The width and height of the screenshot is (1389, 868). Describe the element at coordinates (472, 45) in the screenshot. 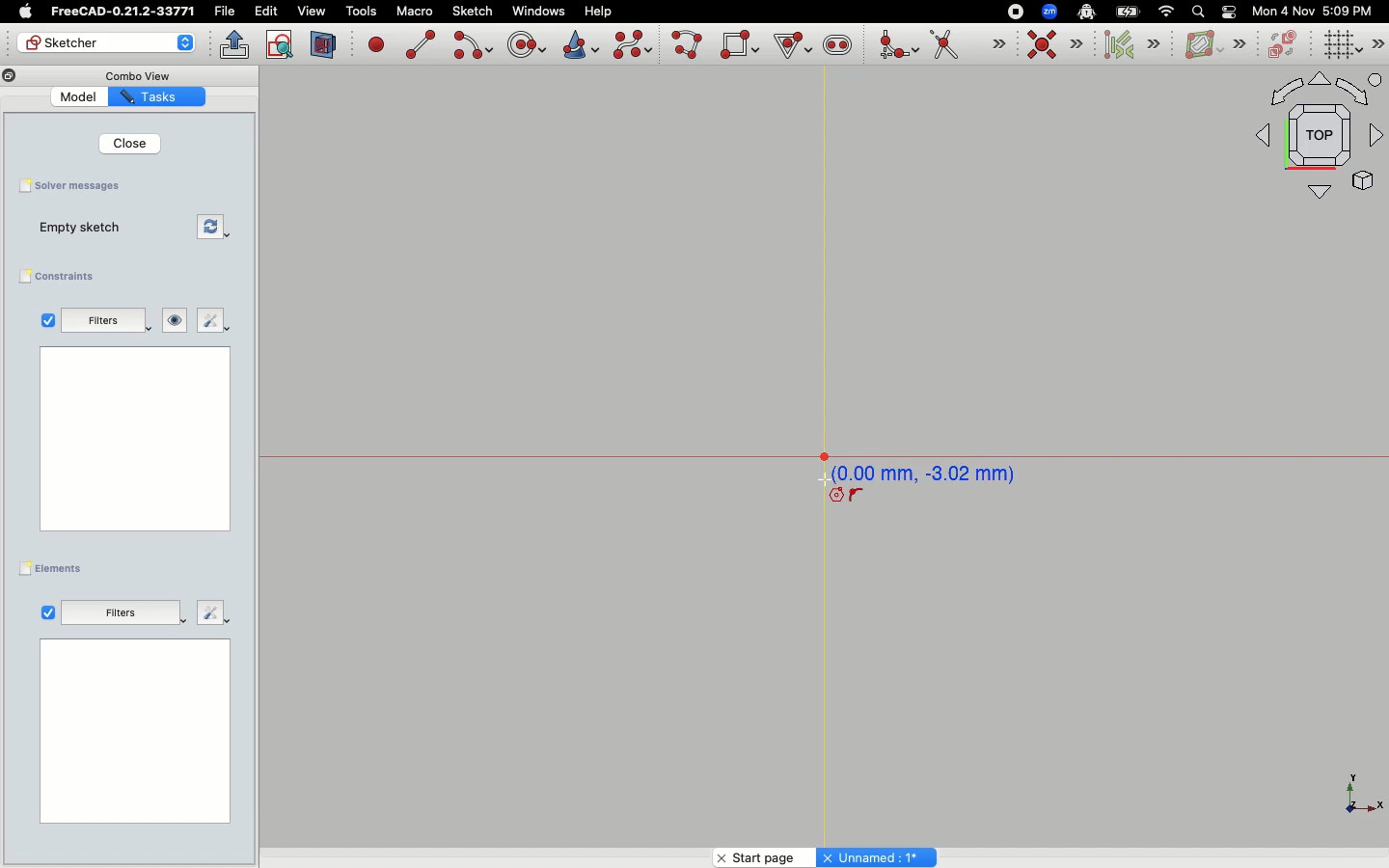

I see `Create arc` at that location.